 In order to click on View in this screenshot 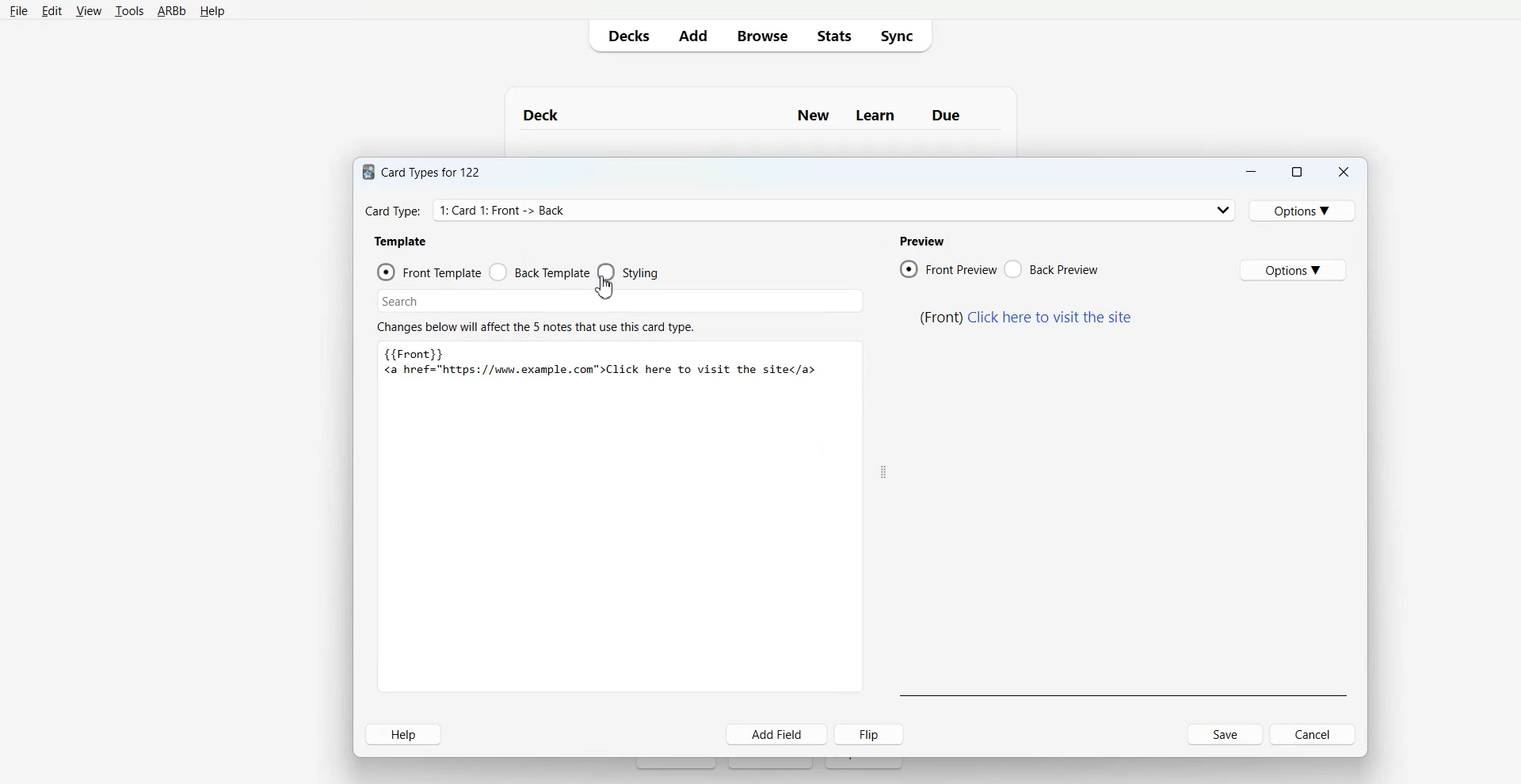, I will do `click(89, 10)`.